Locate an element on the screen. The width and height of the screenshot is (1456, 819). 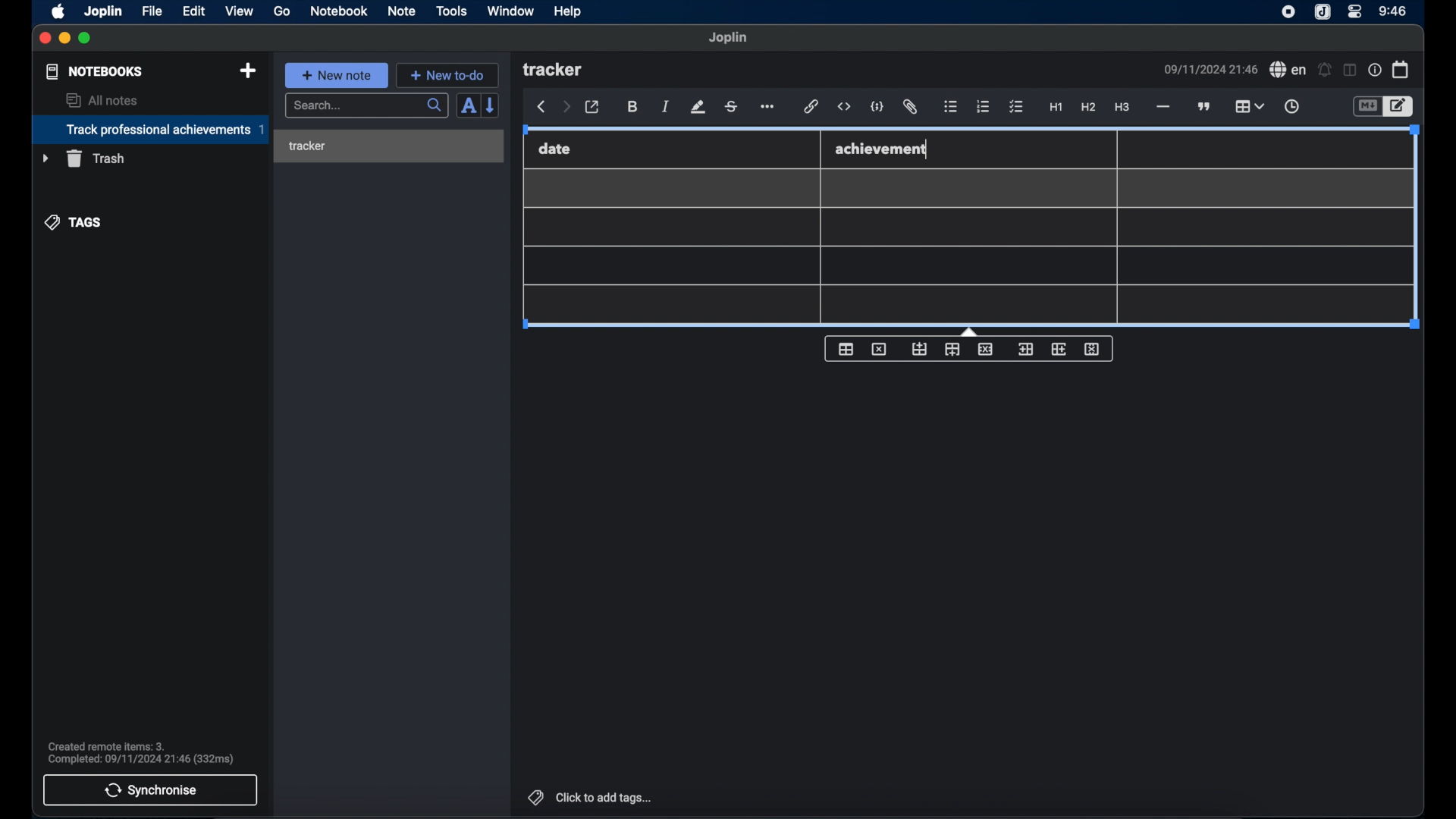
search bar is located at coordinates (366, 106).